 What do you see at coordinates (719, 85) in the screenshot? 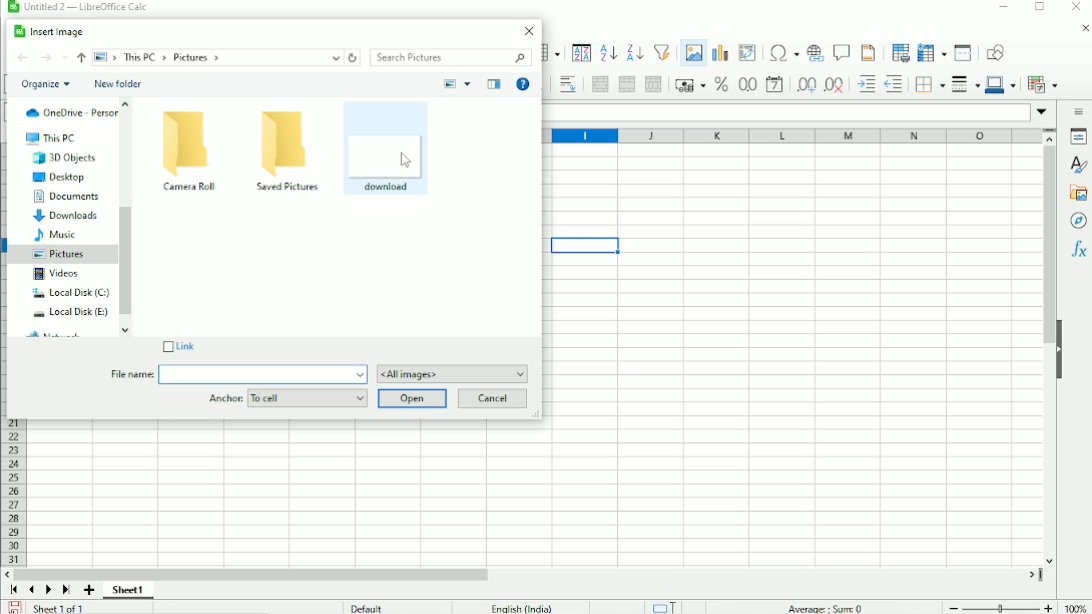
I see `Format as percent` at bounding box center [719, 85].